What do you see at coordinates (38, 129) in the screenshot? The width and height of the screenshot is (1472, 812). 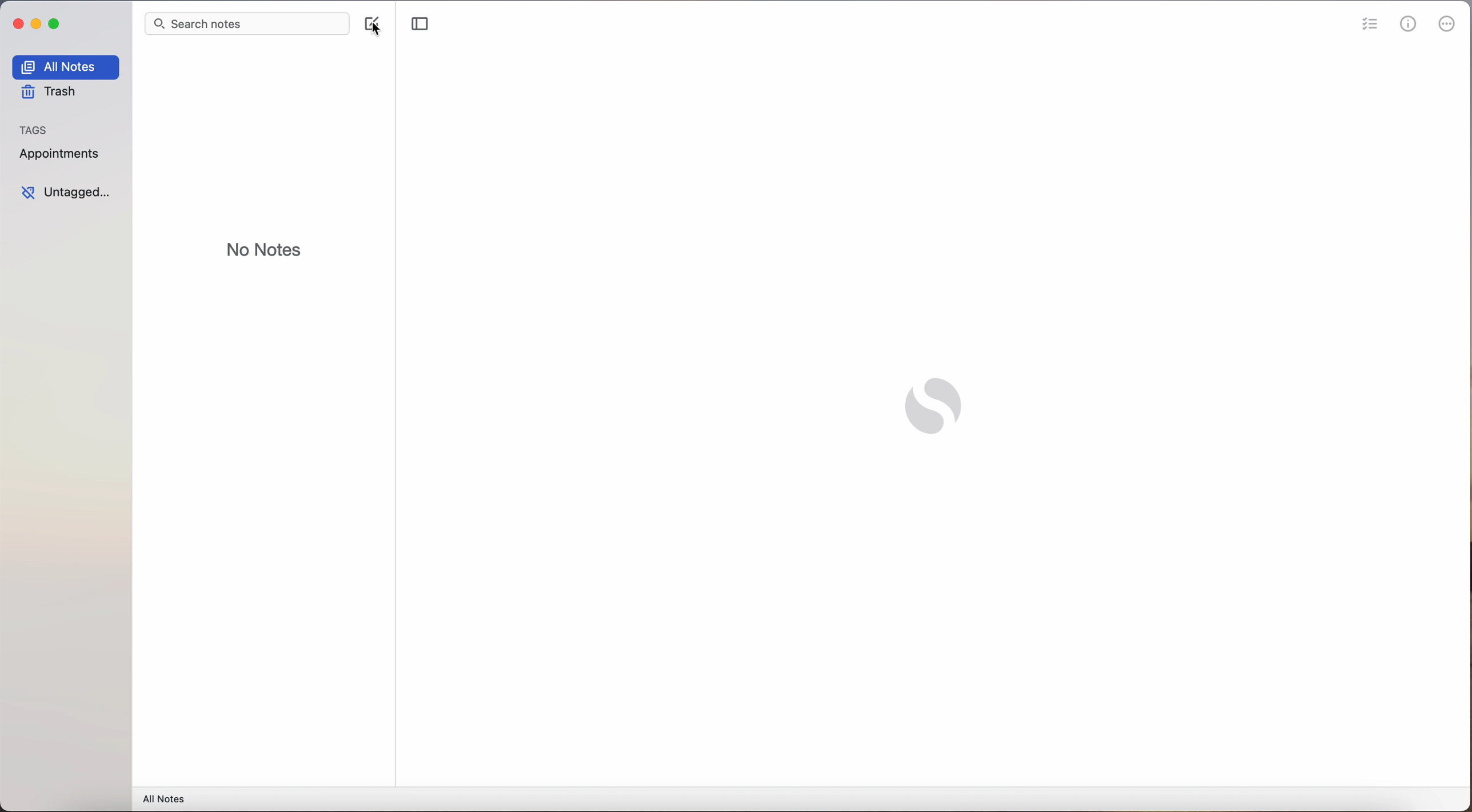 I see `tags` at bounding box center [38, 129].